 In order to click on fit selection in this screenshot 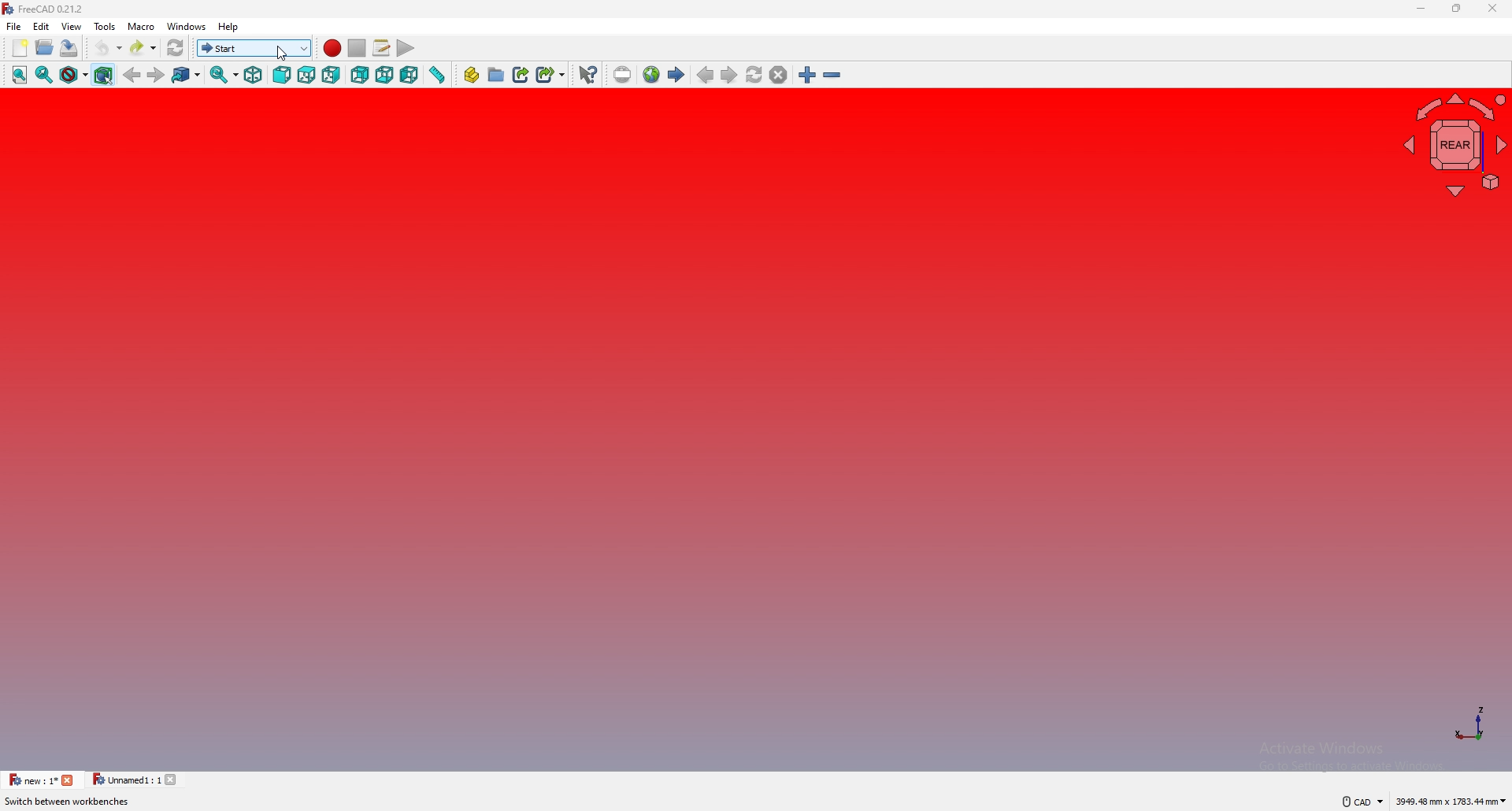, I will do `click(44, 74)`.